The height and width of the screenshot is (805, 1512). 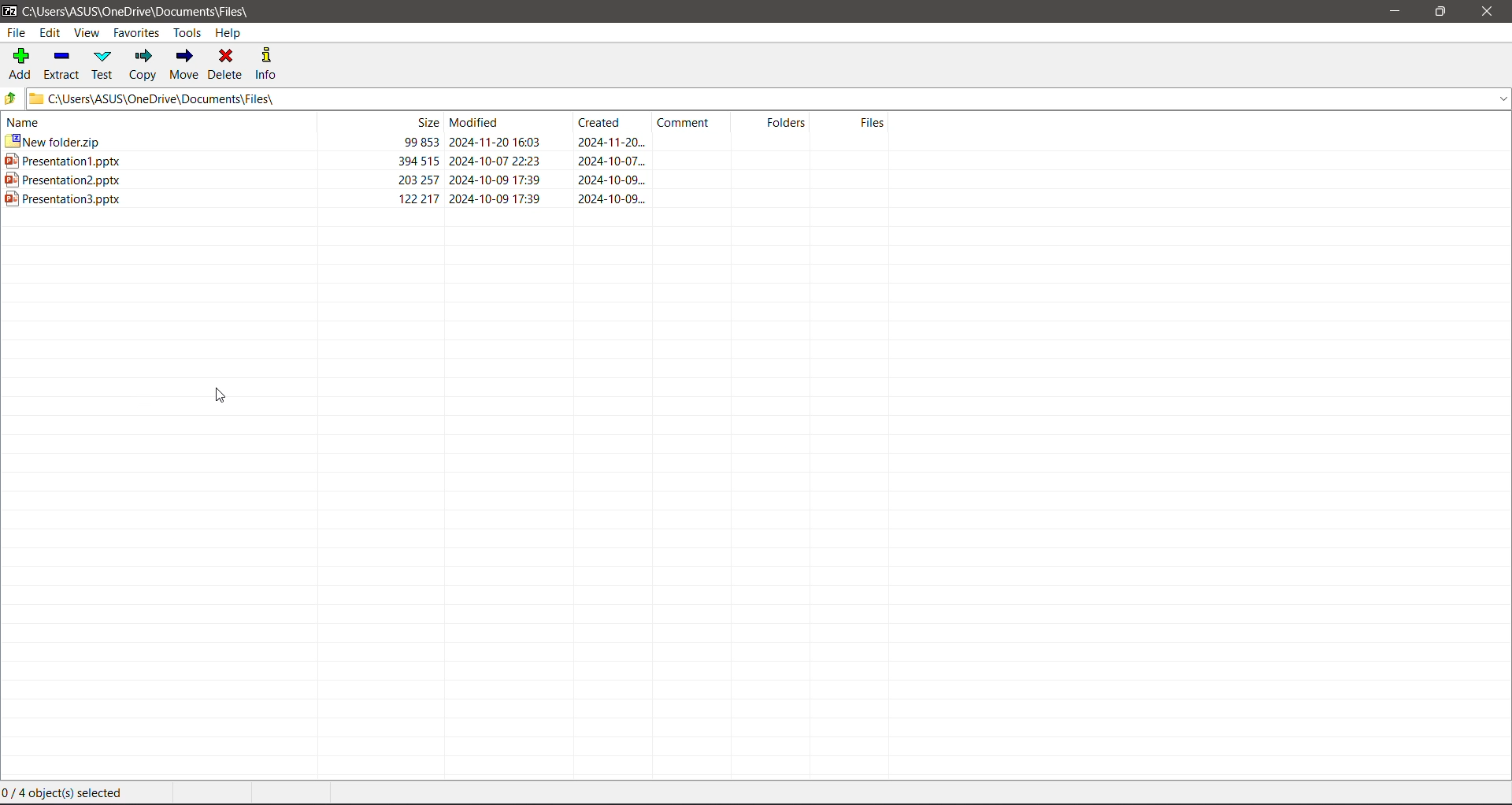 I want to click on Test, so click(x=102, y=65).